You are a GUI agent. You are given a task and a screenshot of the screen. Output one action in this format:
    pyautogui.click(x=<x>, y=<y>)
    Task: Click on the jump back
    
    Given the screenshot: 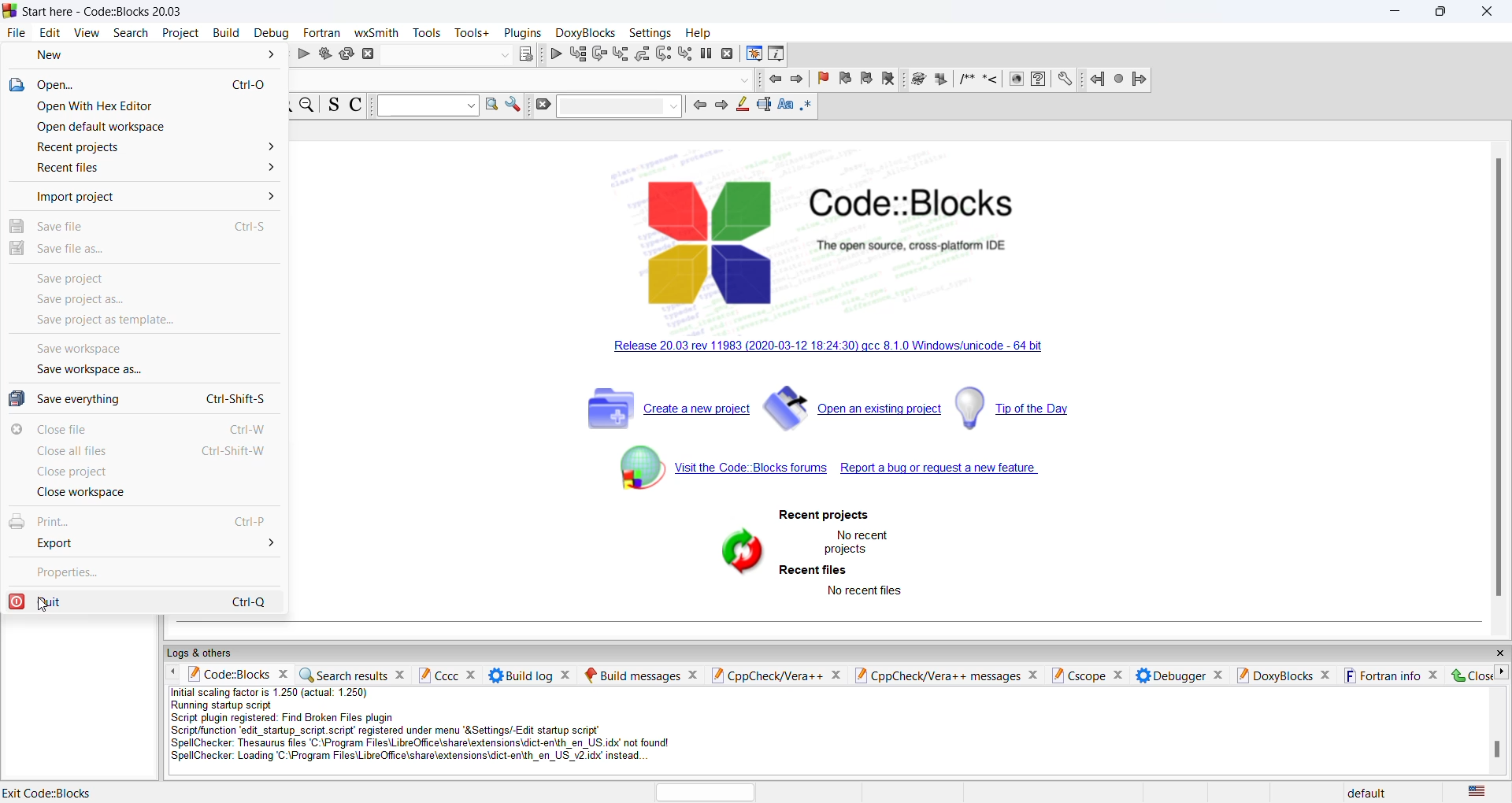 What is the action you would take?
    pyautogui.click(x=1094, y=80)
    